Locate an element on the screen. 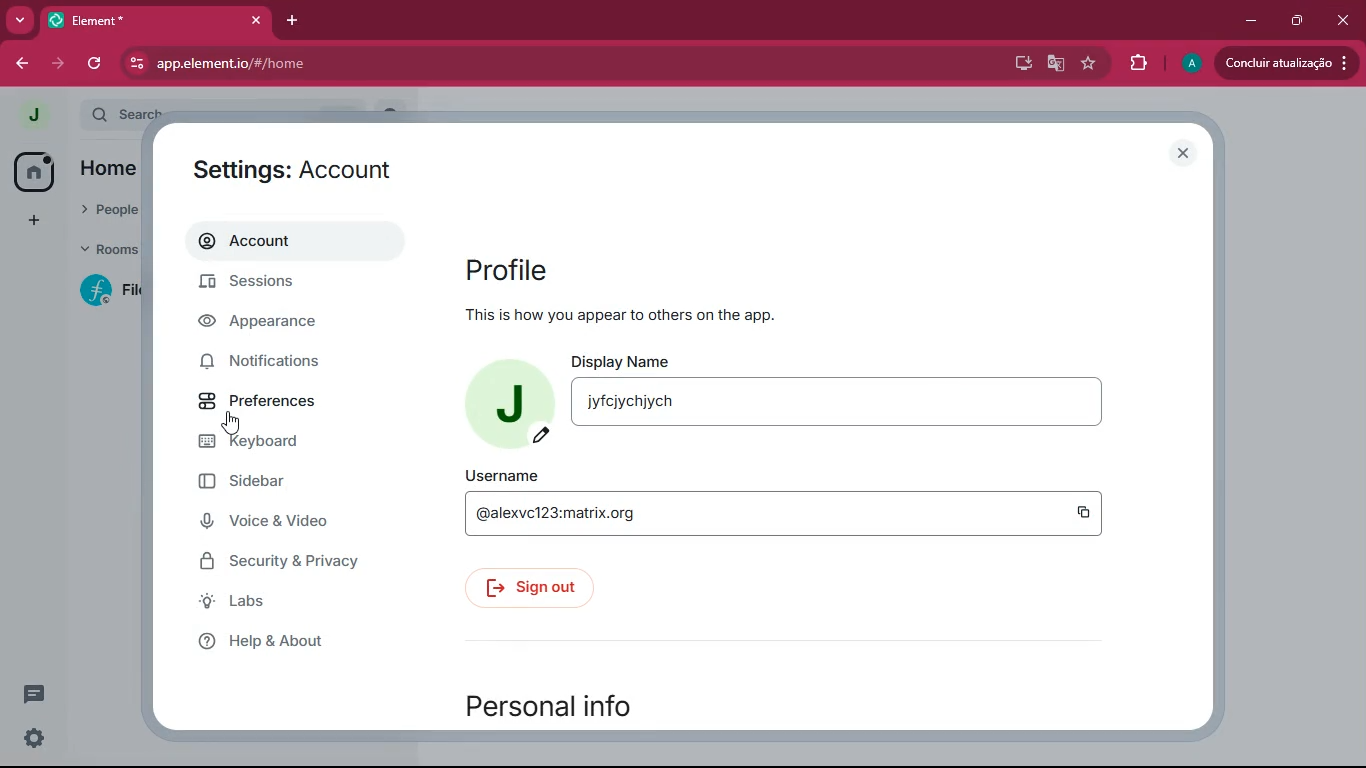 The height and width of the screenshot is (768, 1366). close is located at coordinates (1183, 153).